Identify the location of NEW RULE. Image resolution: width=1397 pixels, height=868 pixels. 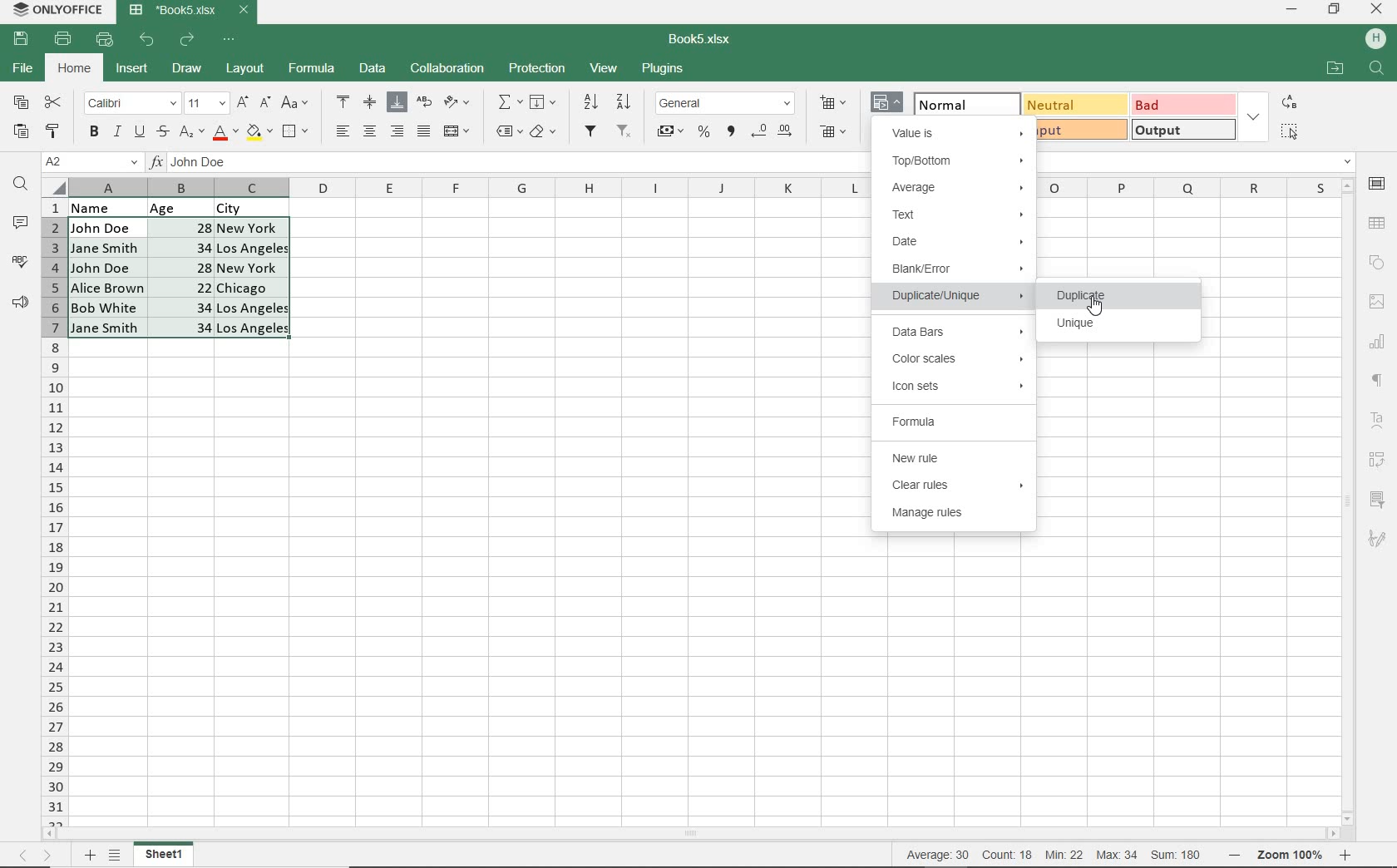
(958, 458).